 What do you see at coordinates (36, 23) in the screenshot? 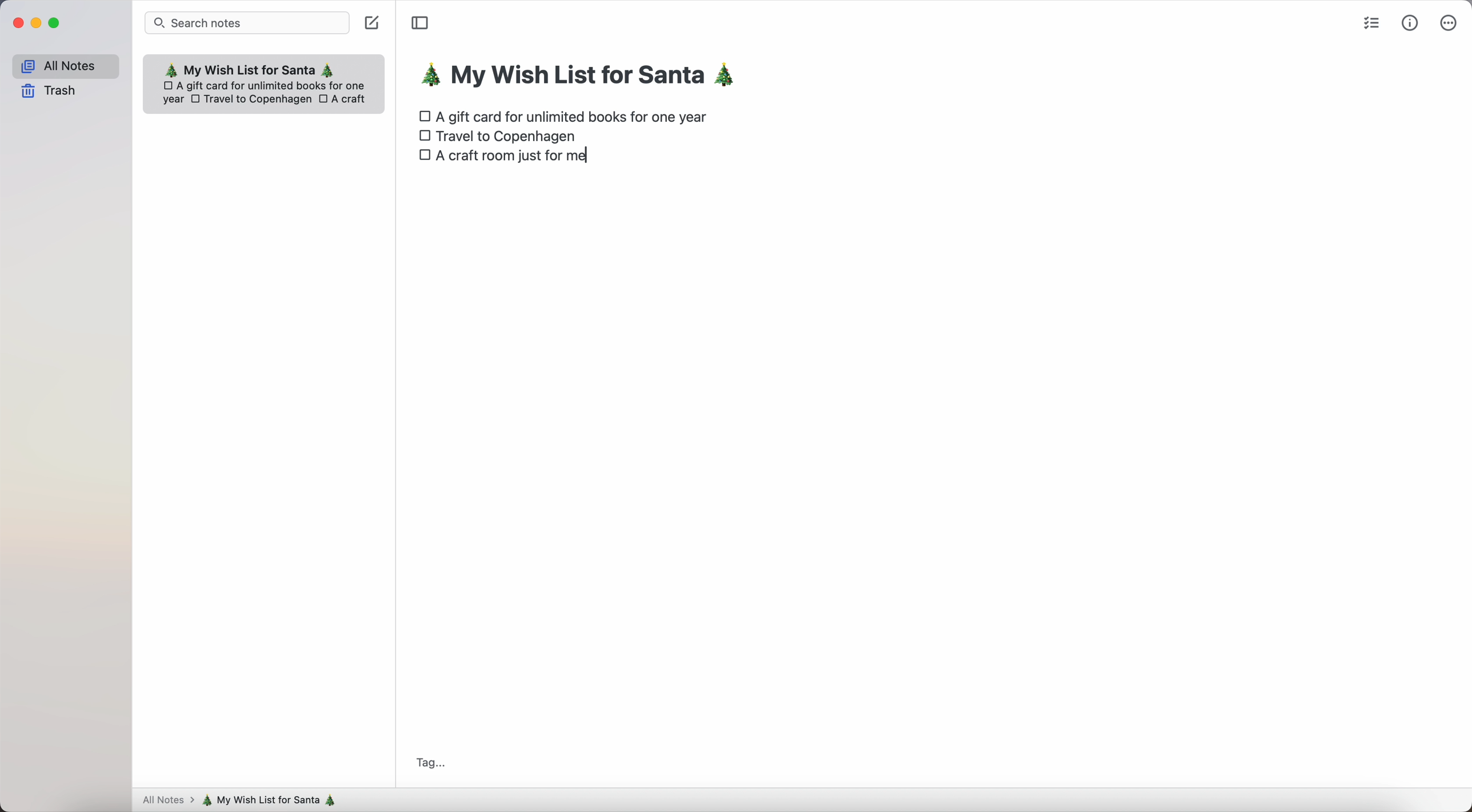
I see `minimize Simplenote` at bounding box center [36, 23].